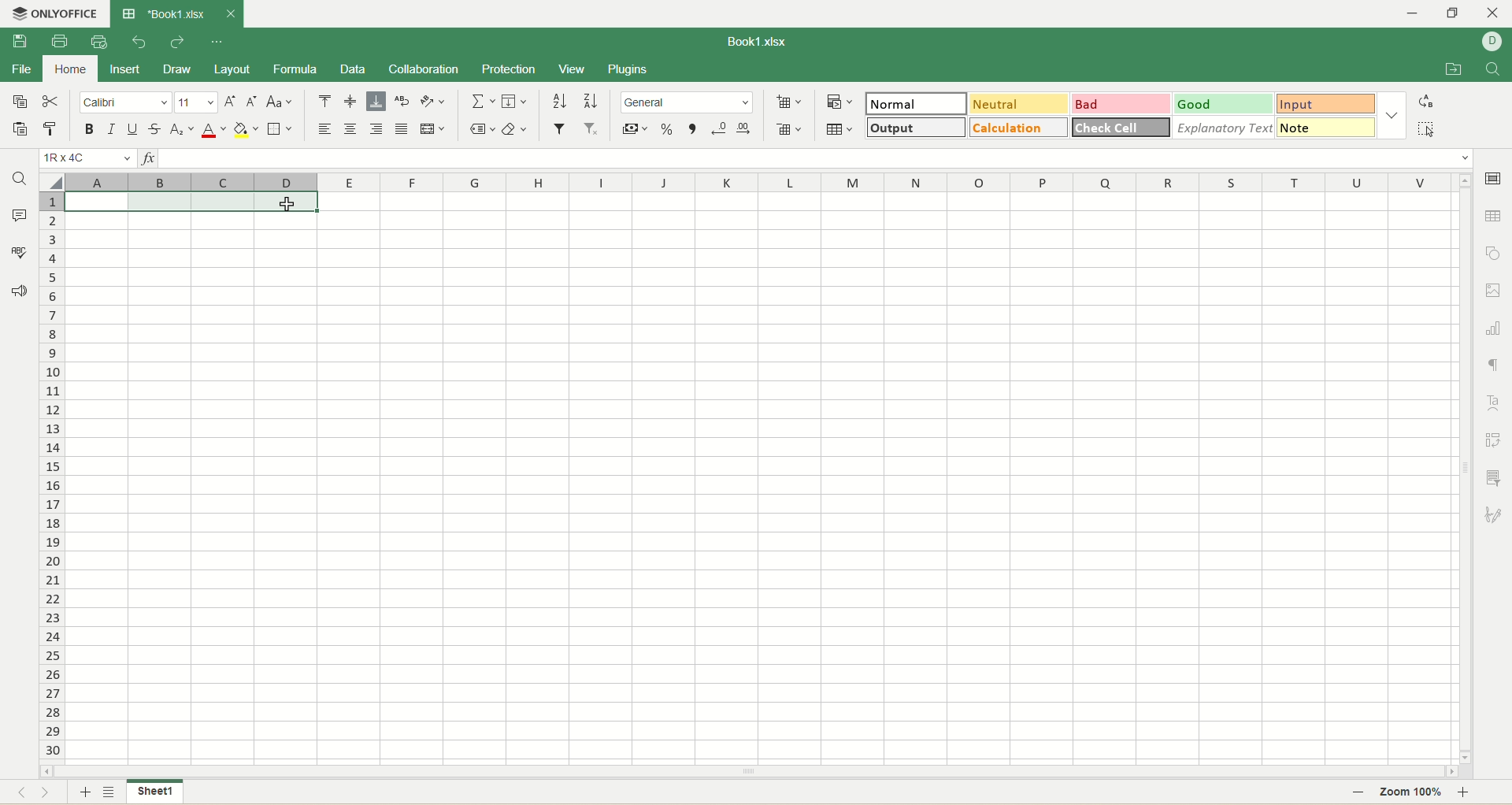 This screenshot has height=805, width=1512. What do you see at coordinates (20, 70) in the screenshot?
I see `file` at bounding box center [20, 70].